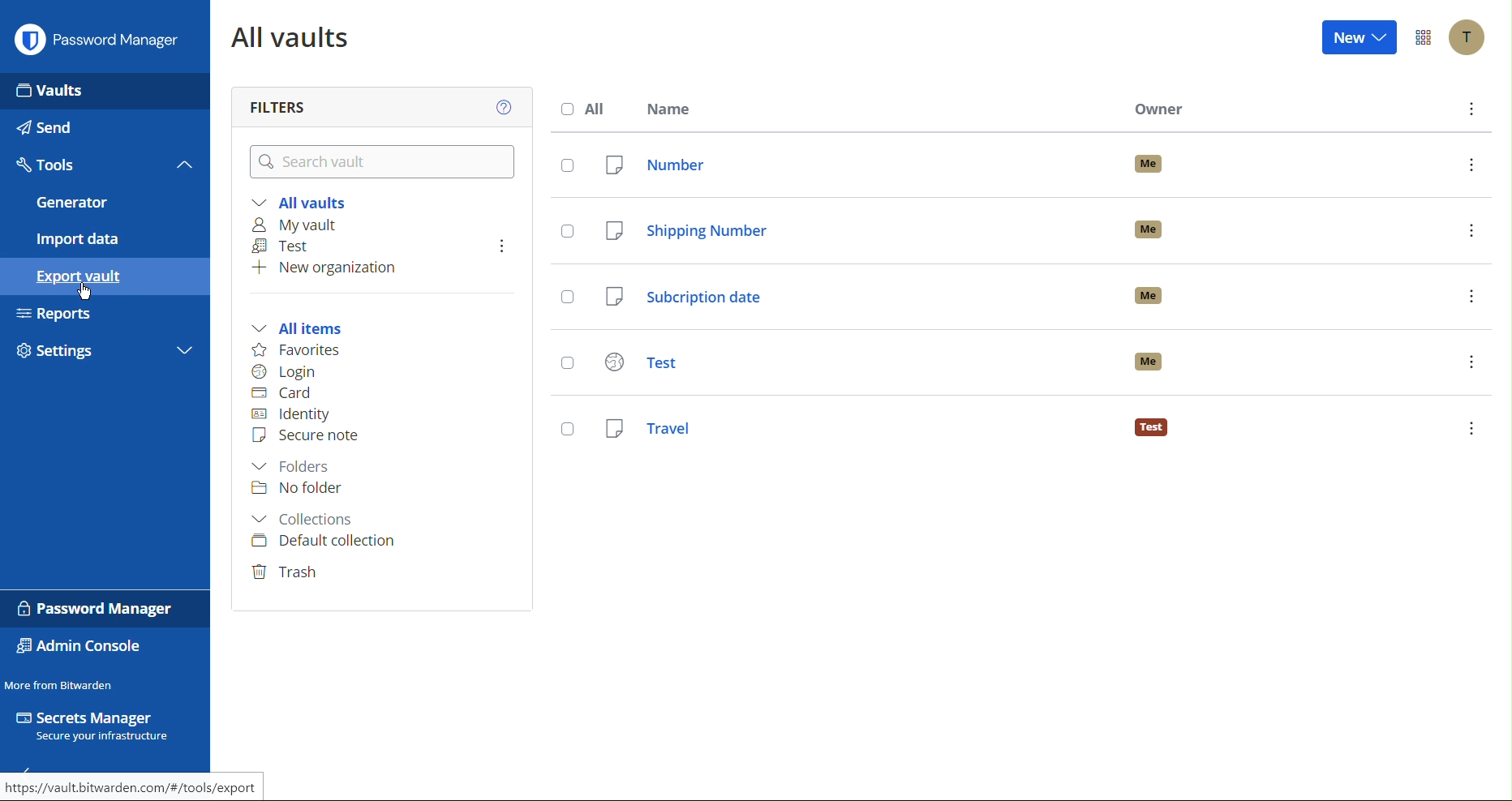 The width and height of the screenshot is (1512, 801). What do you see at coordinates (329, 271) in the screenshot?
I see `New organization` at bounding box center [329, 271].